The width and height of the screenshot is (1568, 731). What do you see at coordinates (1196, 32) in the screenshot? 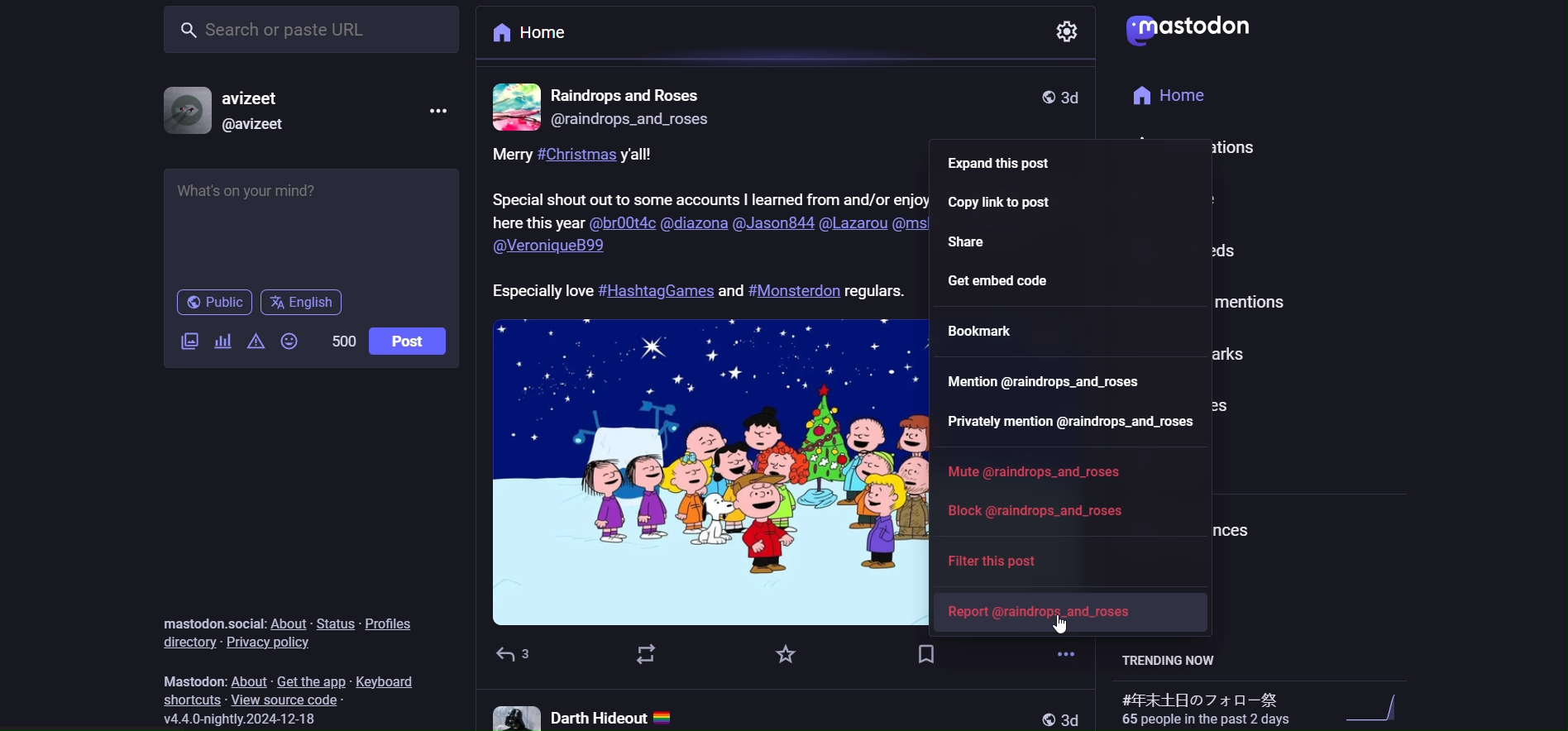
I see `logo` at bounding box center [1196, 32].